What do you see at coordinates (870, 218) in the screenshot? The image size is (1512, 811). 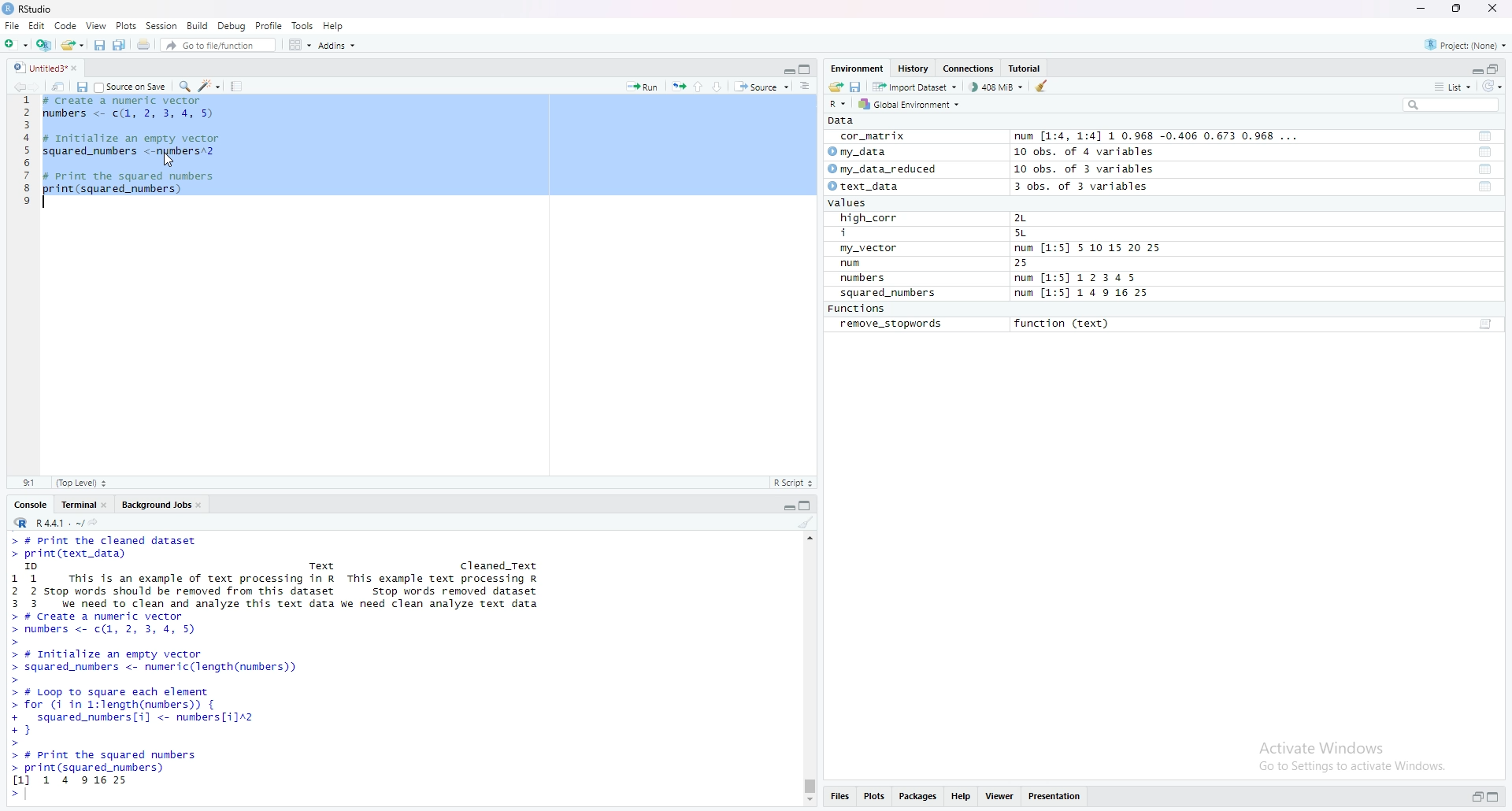 I see `high_corr` at bounding box center [870, 218].